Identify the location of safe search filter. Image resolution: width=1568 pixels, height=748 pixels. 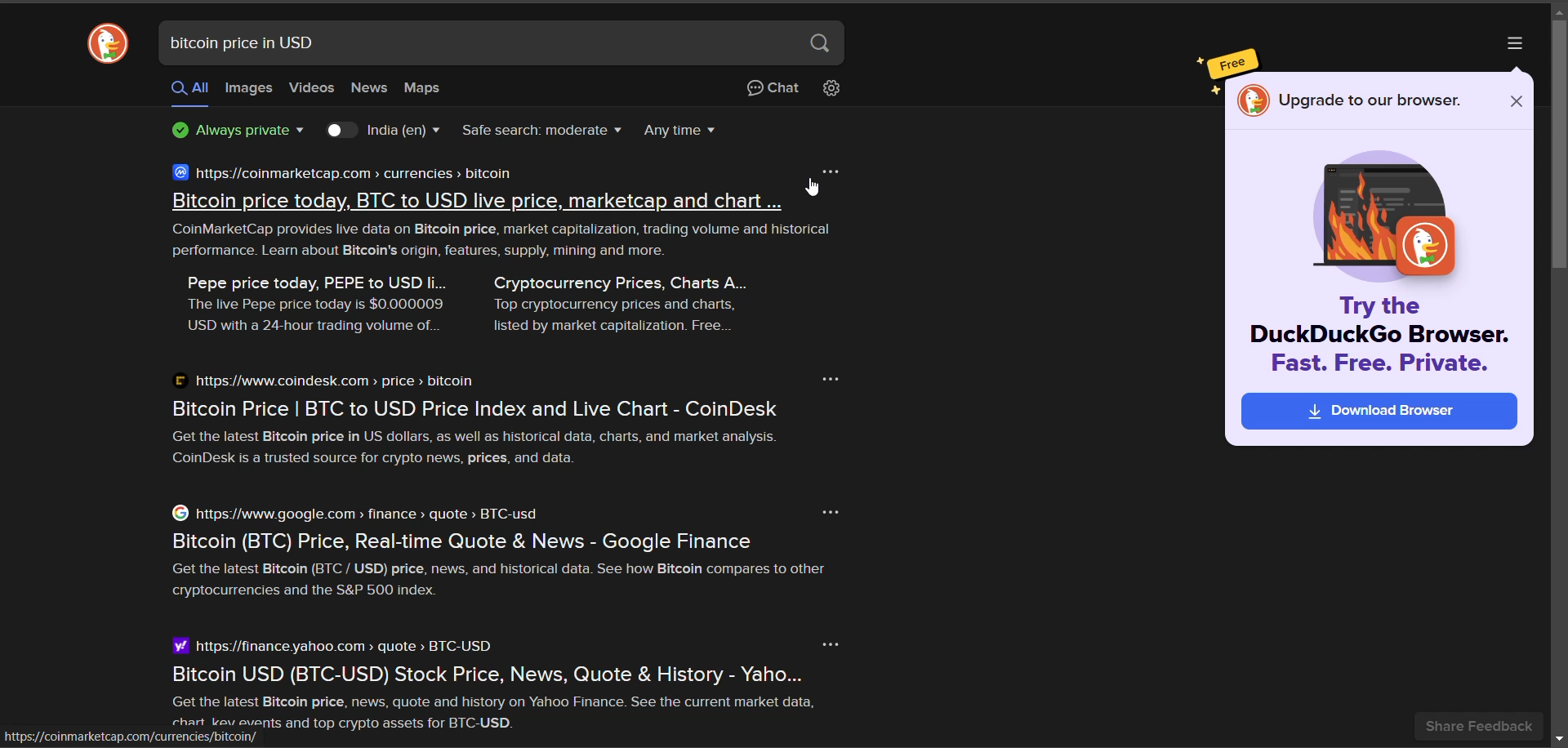
(546, 131).